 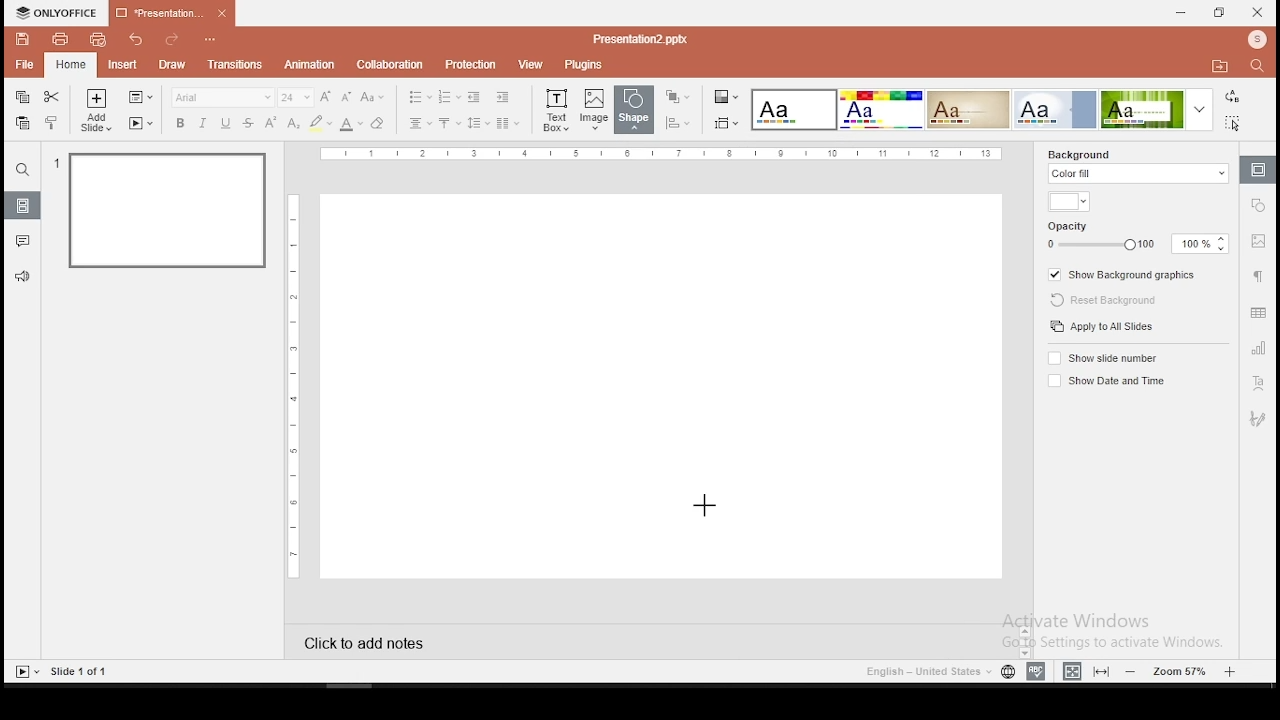 I want to click on select all, so click(x=1236, y=122).